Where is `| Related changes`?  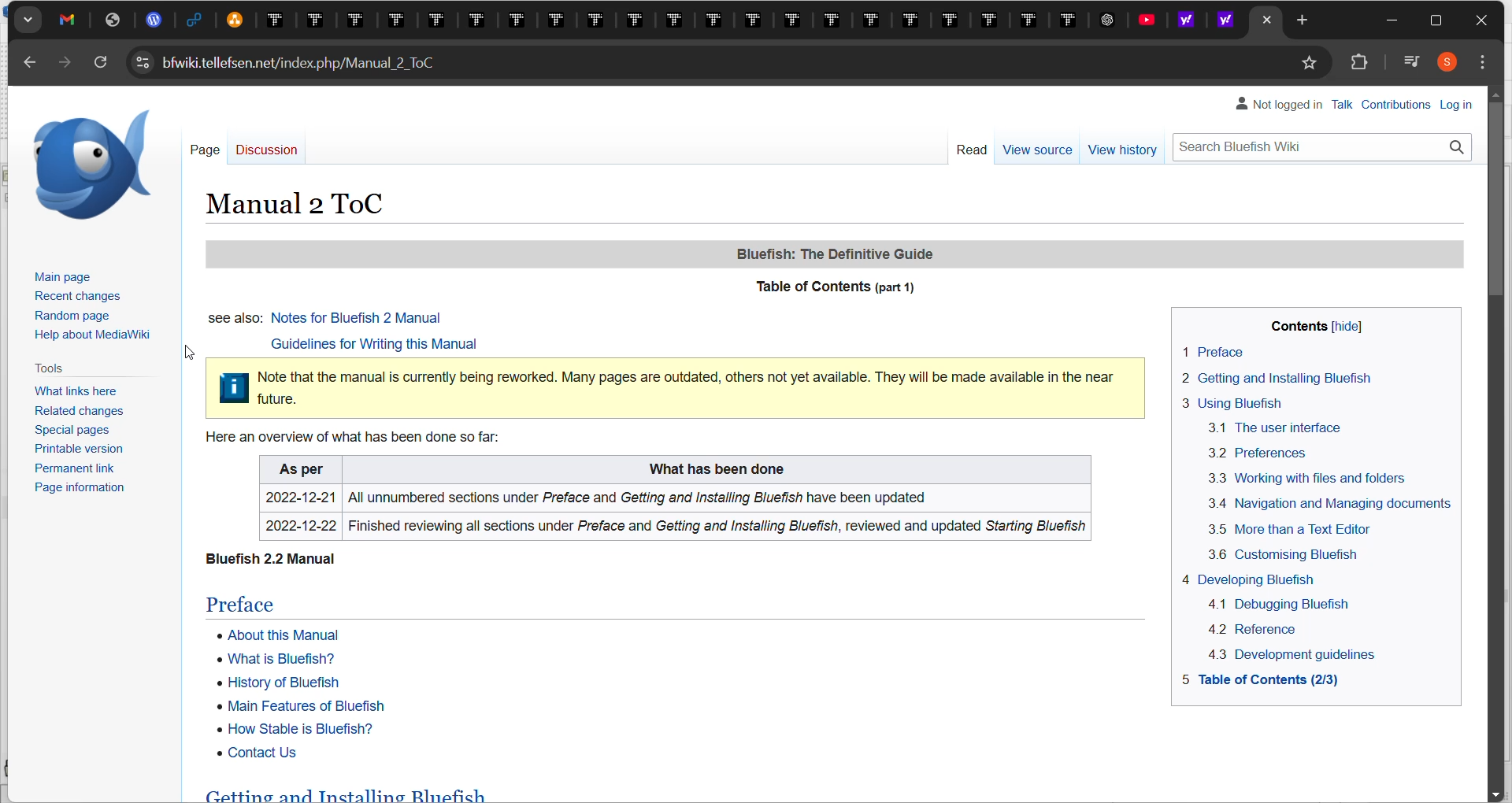 | Related changes is located at coordinates (72, 412).